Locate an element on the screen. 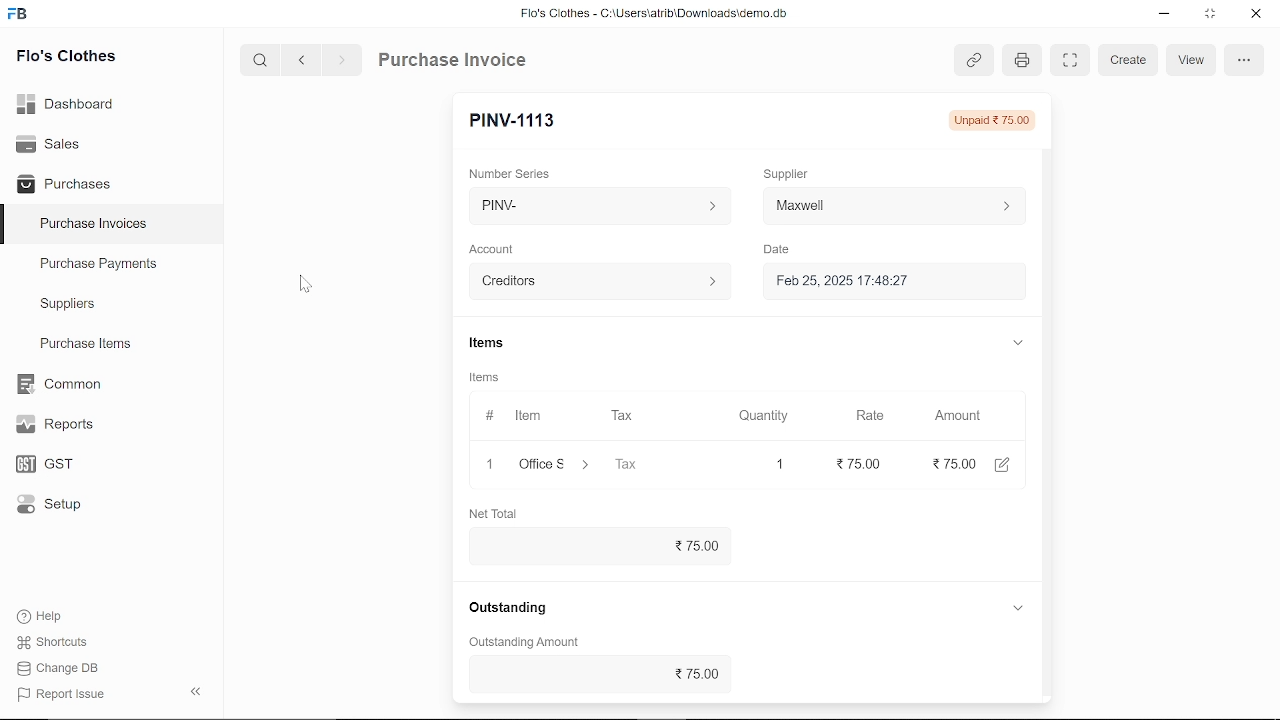 This screenshot has width=1280, height=720. Create is located at coordinates (1128, 61).